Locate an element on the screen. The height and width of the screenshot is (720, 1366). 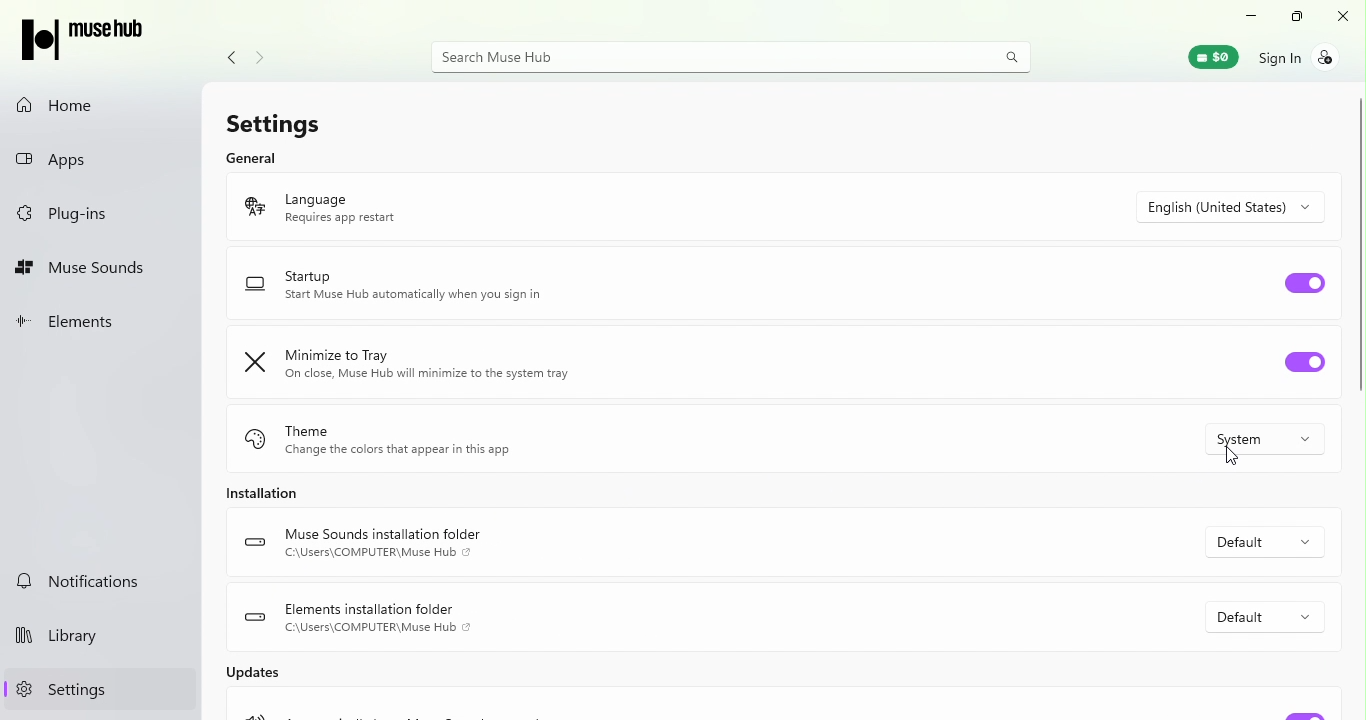
Maximize is located at coordinates (1297, 19).